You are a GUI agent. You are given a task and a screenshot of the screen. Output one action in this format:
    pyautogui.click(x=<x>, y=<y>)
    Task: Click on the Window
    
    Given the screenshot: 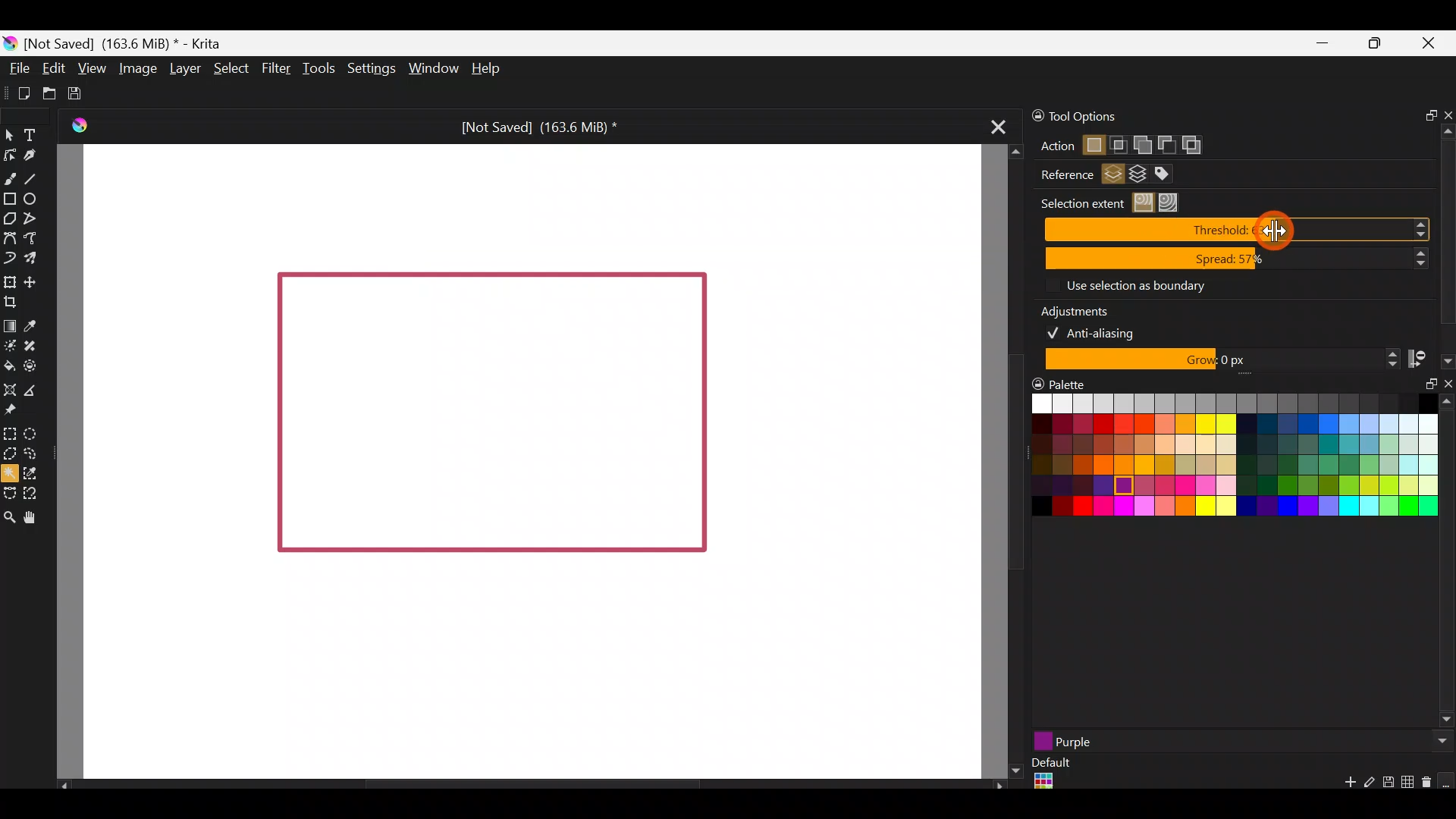 What is the action you would take?
    pyautogui.click(x=431, y=67)
    